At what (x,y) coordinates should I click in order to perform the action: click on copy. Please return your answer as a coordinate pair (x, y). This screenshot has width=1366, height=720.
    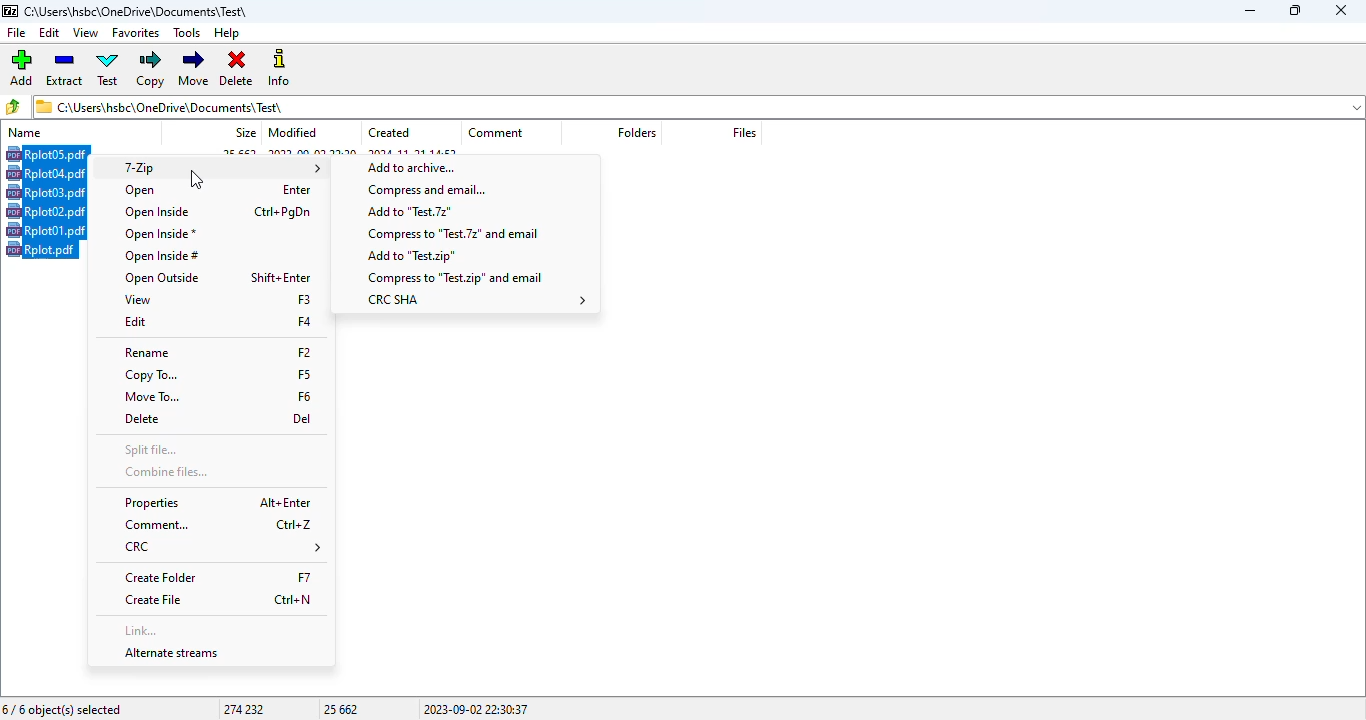
    Looking at the image, I should click on (151, 69).